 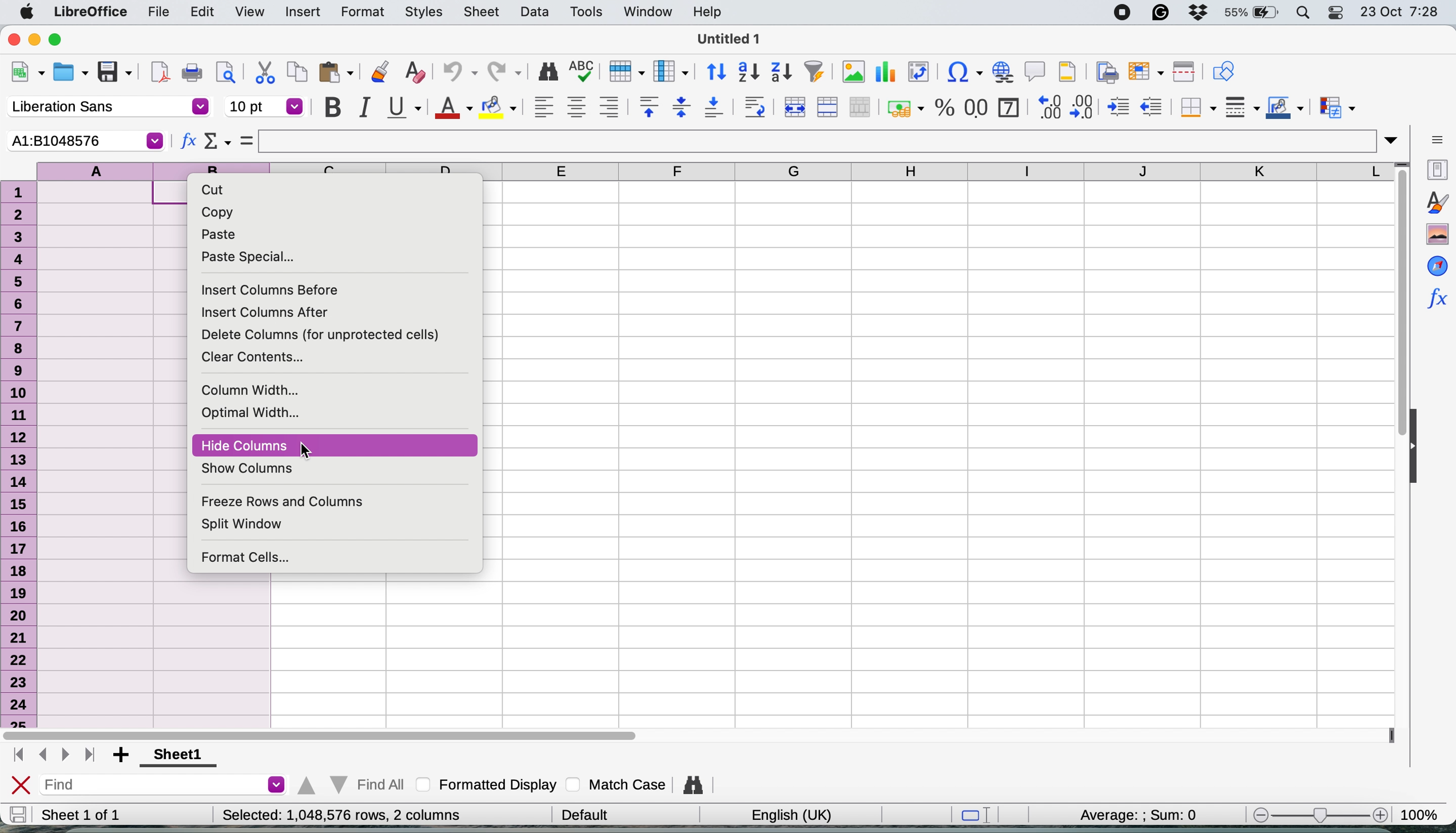 I want to click on untitled 1, so click(x=730, y=41).